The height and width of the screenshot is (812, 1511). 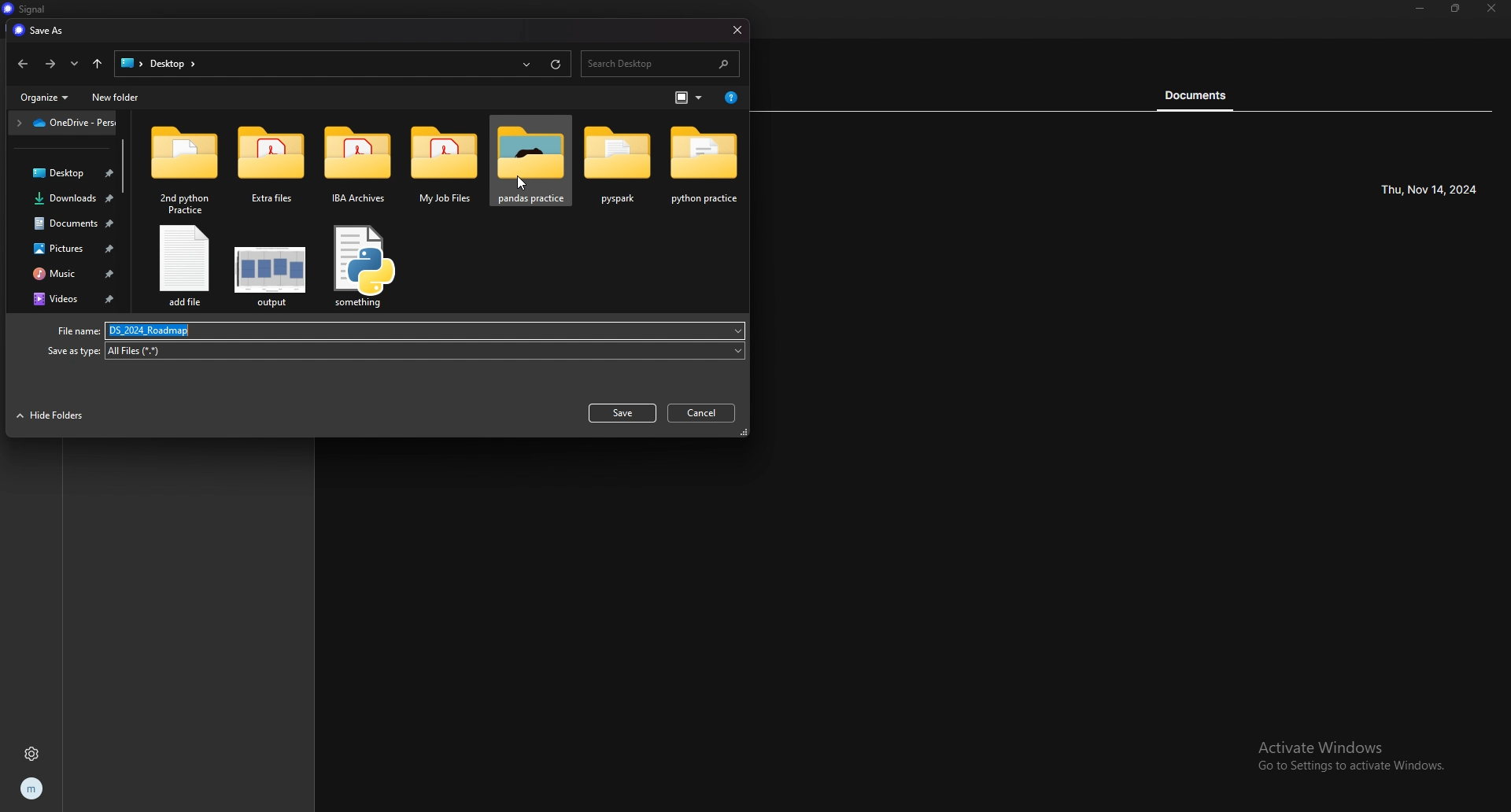 What do you see at coordinates (735, 30) in the screenshot?
I see `close` at bounding box center [735, 30].